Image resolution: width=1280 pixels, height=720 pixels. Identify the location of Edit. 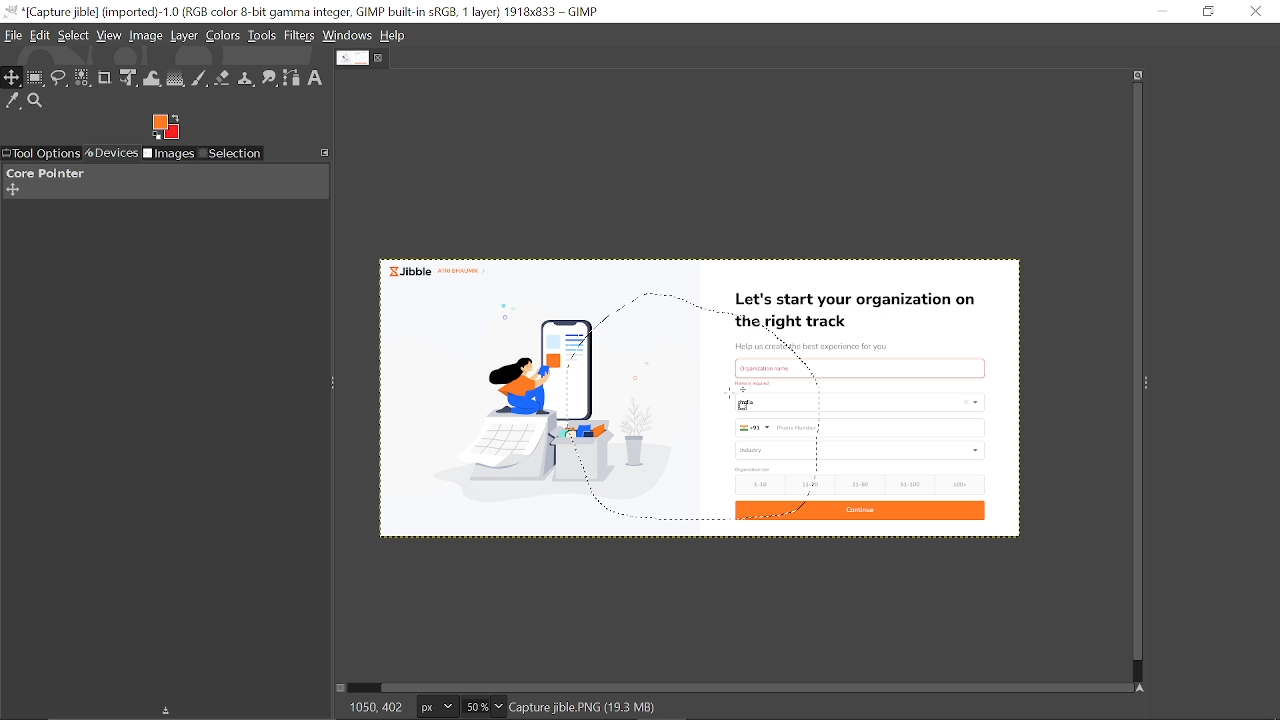
(41, 37).